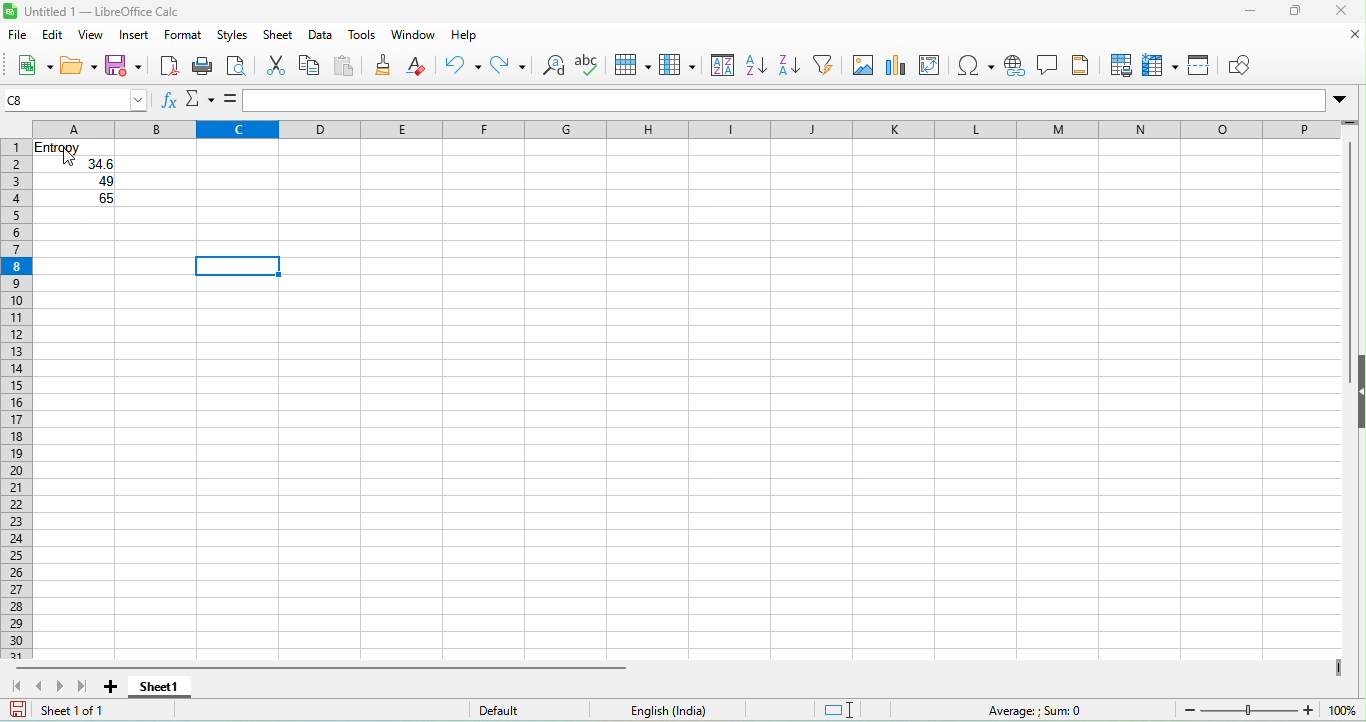 This screenshot has width=1366, height=722. What do you see at coordinates (106, 181) in the screenshot?
I see `49` at bounding box center [106, 181].